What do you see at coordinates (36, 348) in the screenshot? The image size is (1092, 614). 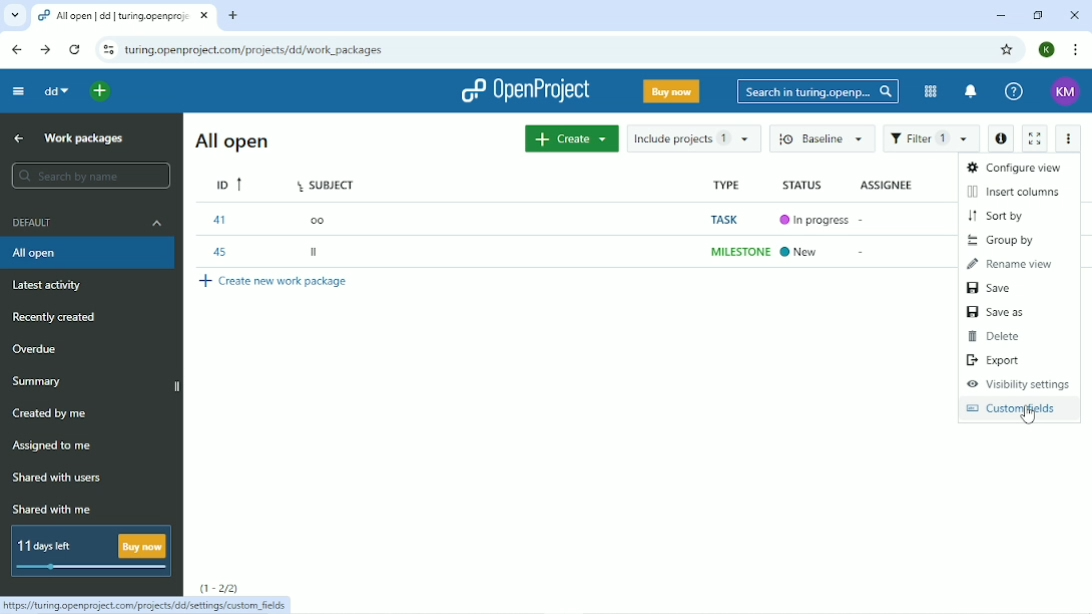 I see `Overdue` at bounding box center [36, 348].